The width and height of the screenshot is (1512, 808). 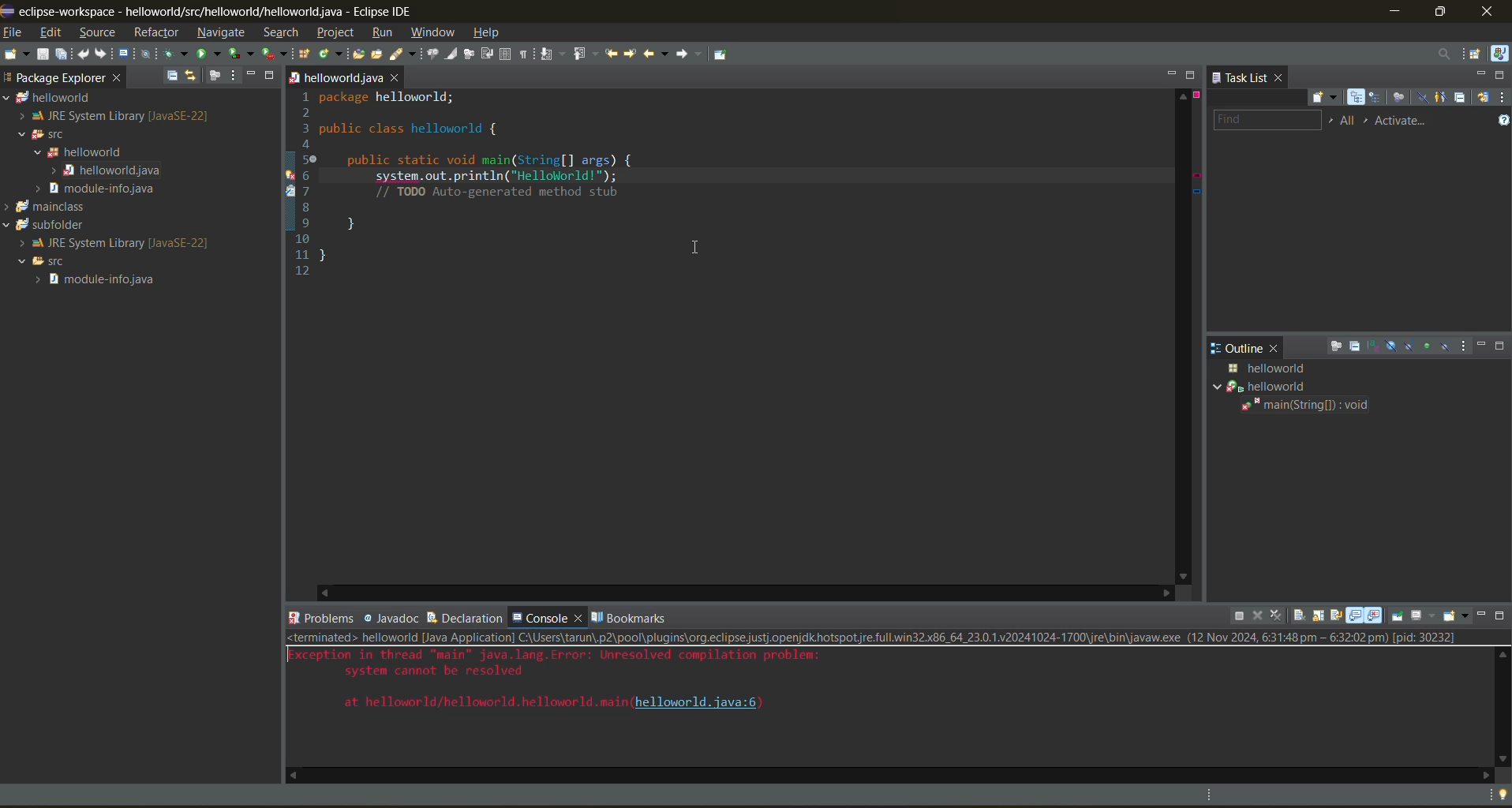 What do you see at coordinates (492, 36) in the screenshot?
I see `help` at bounding box center [492, 36].